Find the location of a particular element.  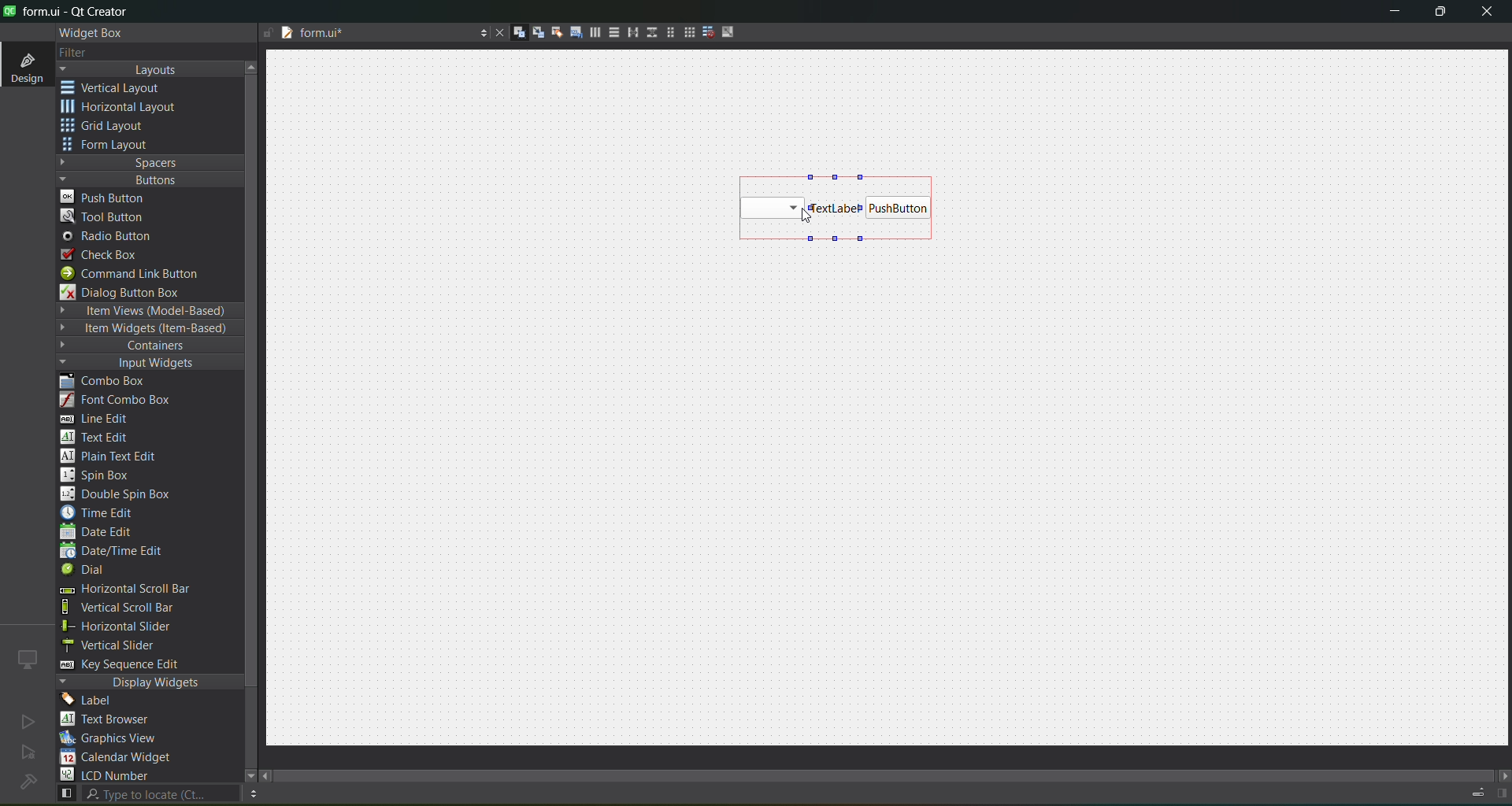

move down is located at coordinates (243, 774).